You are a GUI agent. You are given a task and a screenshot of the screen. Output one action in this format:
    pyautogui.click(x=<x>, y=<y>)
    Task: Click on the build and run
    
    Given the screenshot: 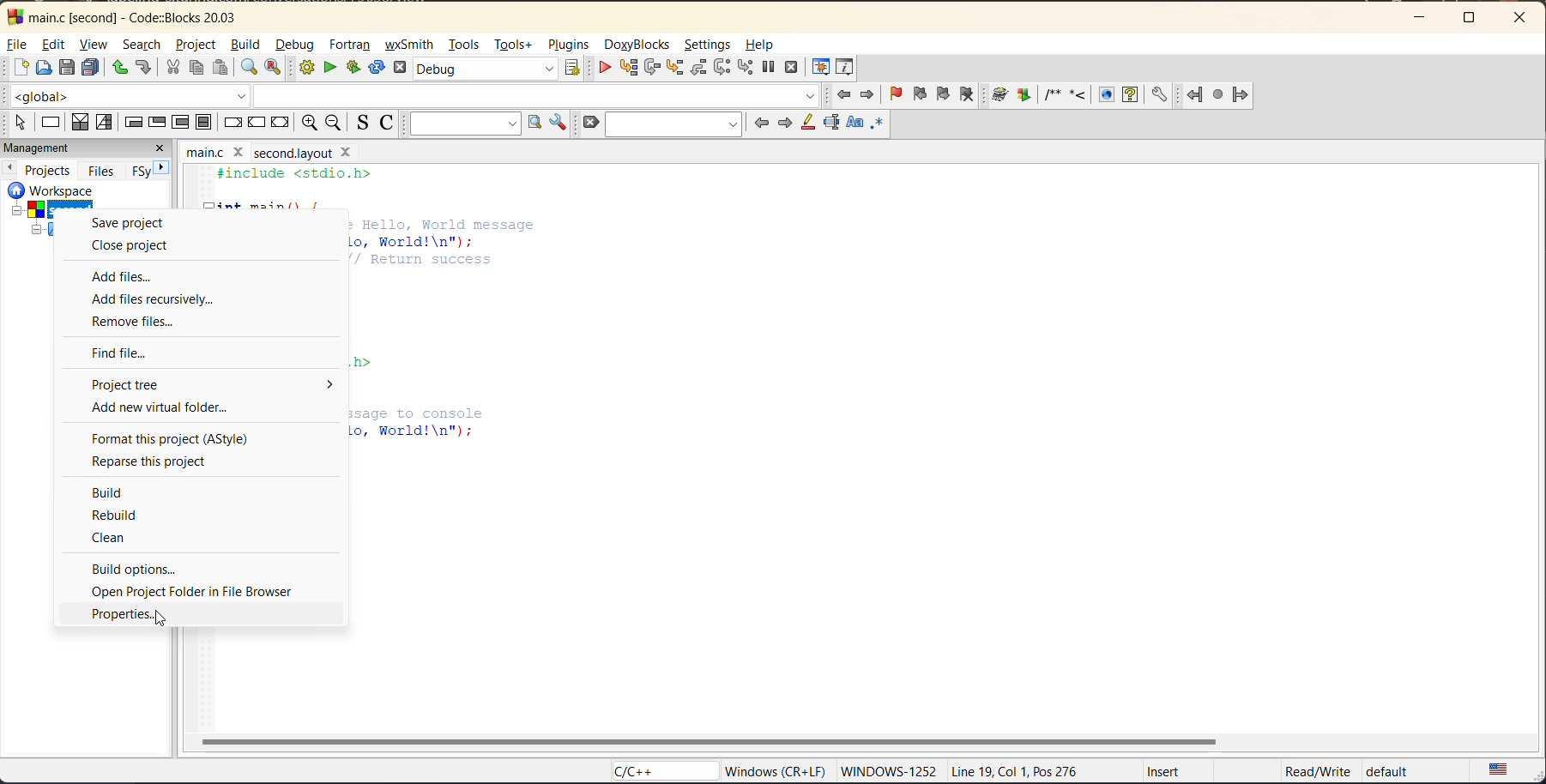 What is the action you would take?
    pyautogui.click(x=353, y=66)
    